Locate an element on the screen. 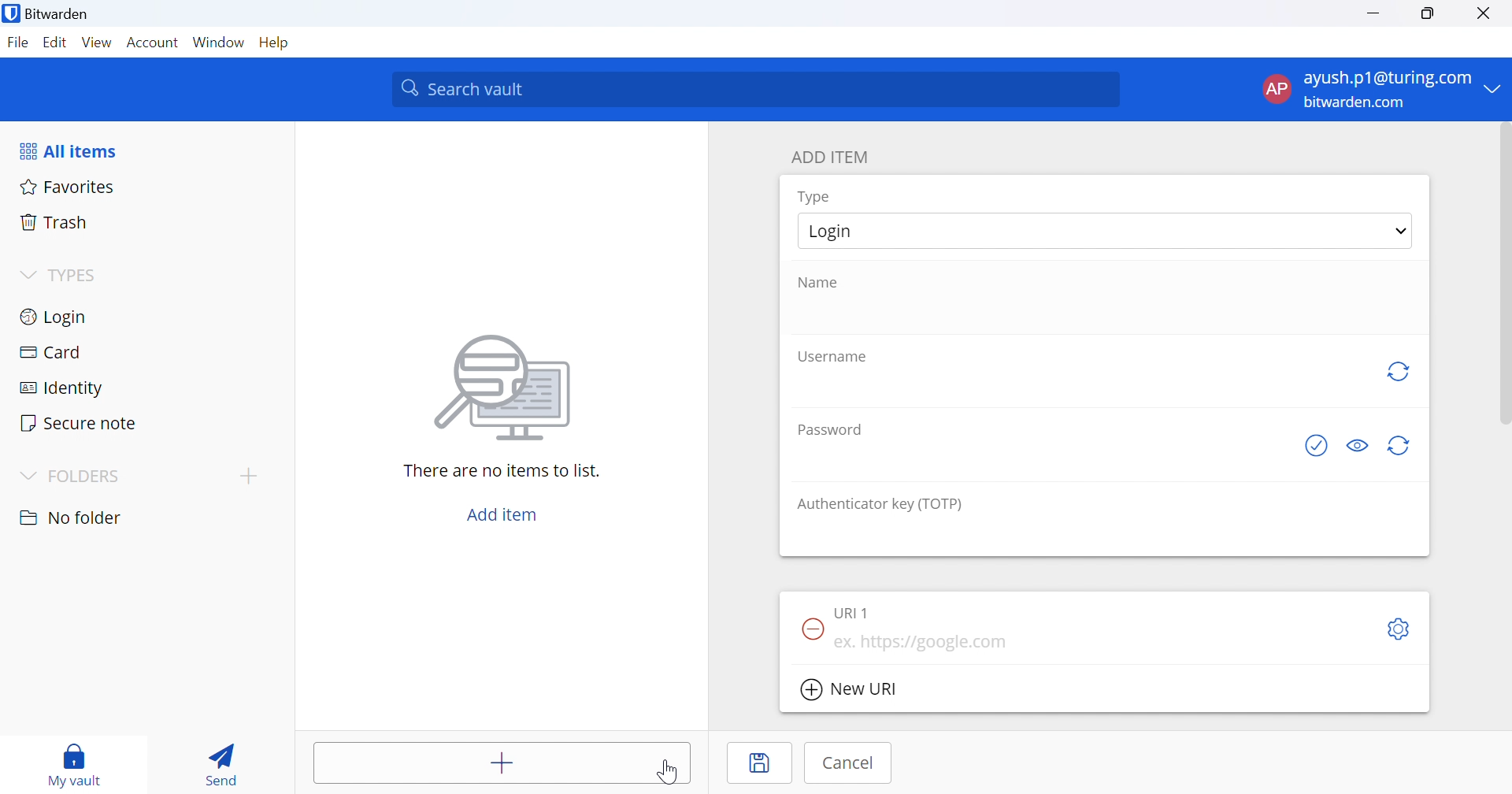 The image size is (1512, 794). scrollbar is located at coordinates (1501, 276).